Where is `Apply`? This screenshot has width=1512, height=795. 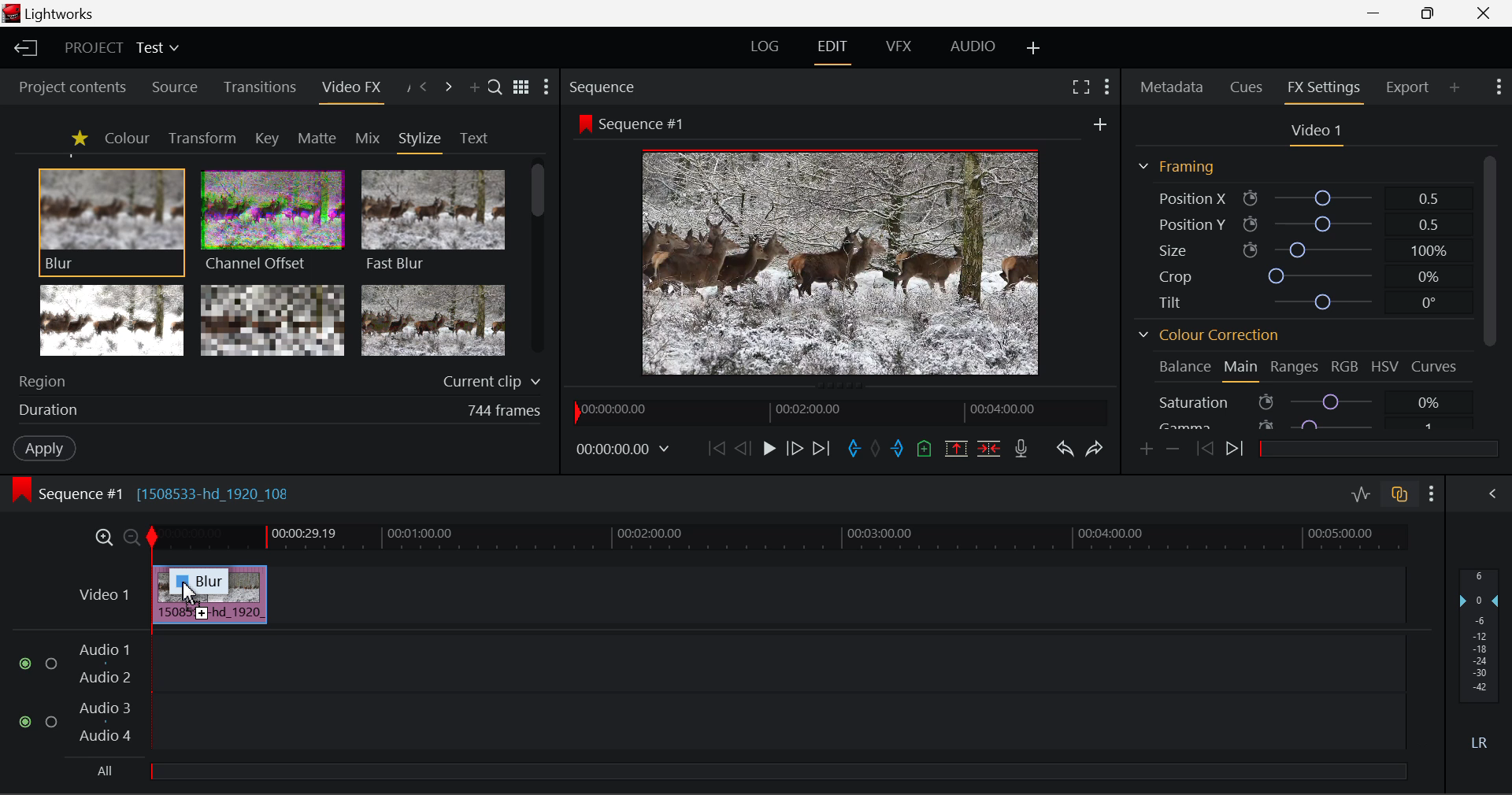 Apply is located at coordinates (44, 450).